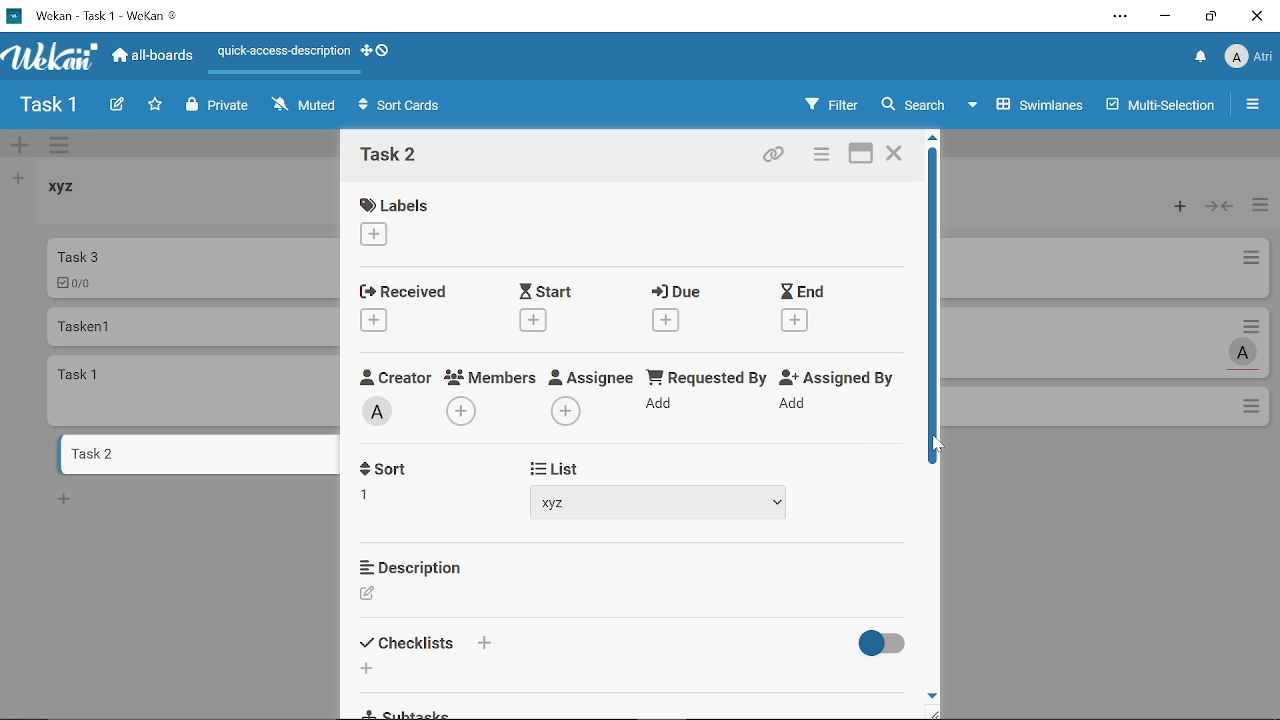  What do you see at coordinates (1253, 408) in the screenshot?
I see `Options` at bounding box center [1253, 408].